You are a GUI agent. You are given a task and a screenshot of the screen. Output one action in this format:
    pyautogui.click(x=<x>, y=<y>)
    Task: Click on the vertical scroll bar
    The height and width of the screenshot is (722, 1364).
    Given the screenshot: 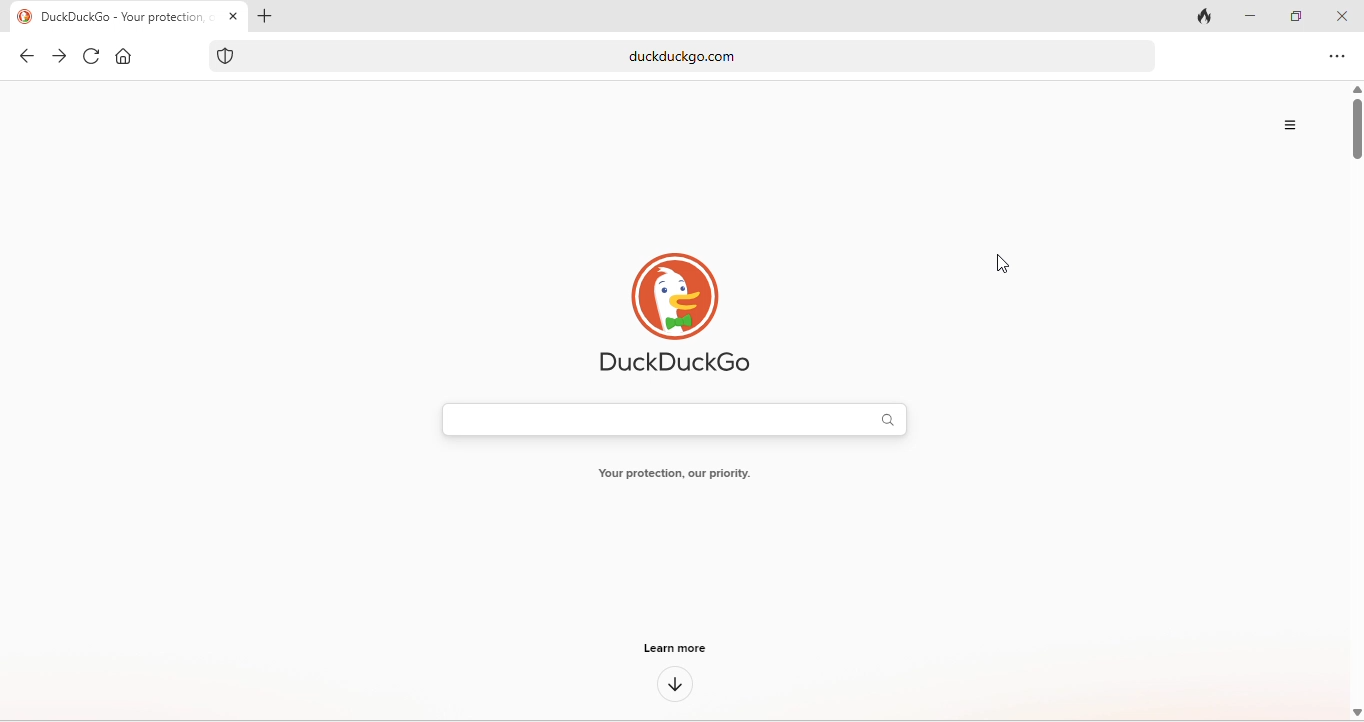 What is the action you would take?
    pyautogui.click(x=1355, y=122)
    